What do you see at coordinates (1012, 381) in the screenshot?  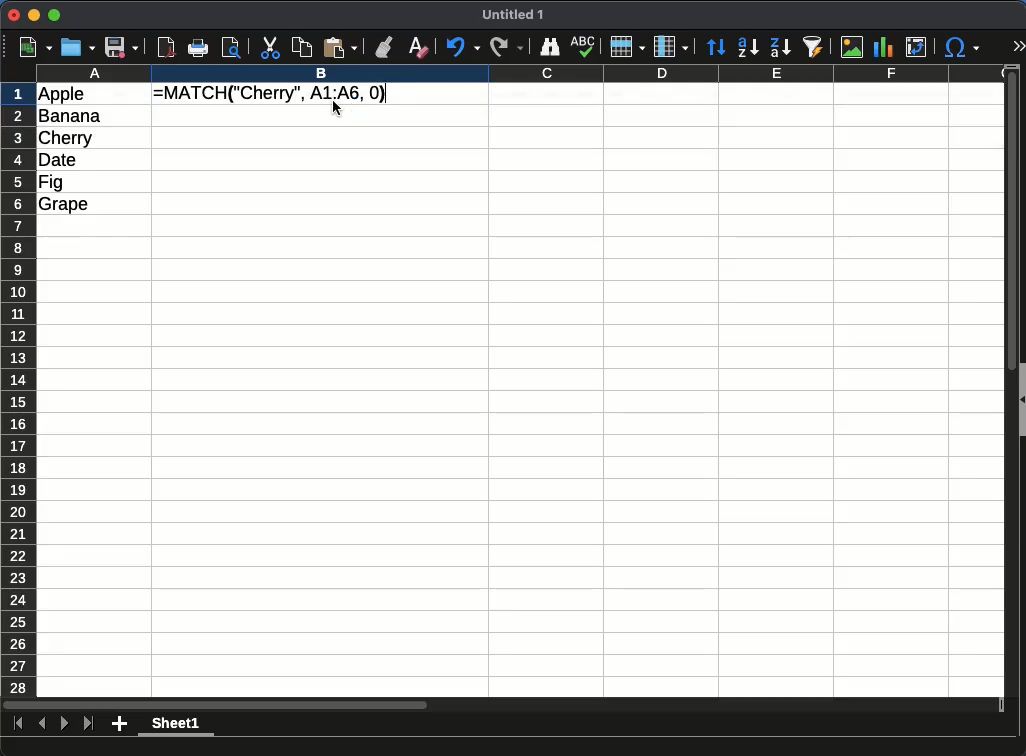 I see `Vertical scroll` at bounding box center [1012, 381].